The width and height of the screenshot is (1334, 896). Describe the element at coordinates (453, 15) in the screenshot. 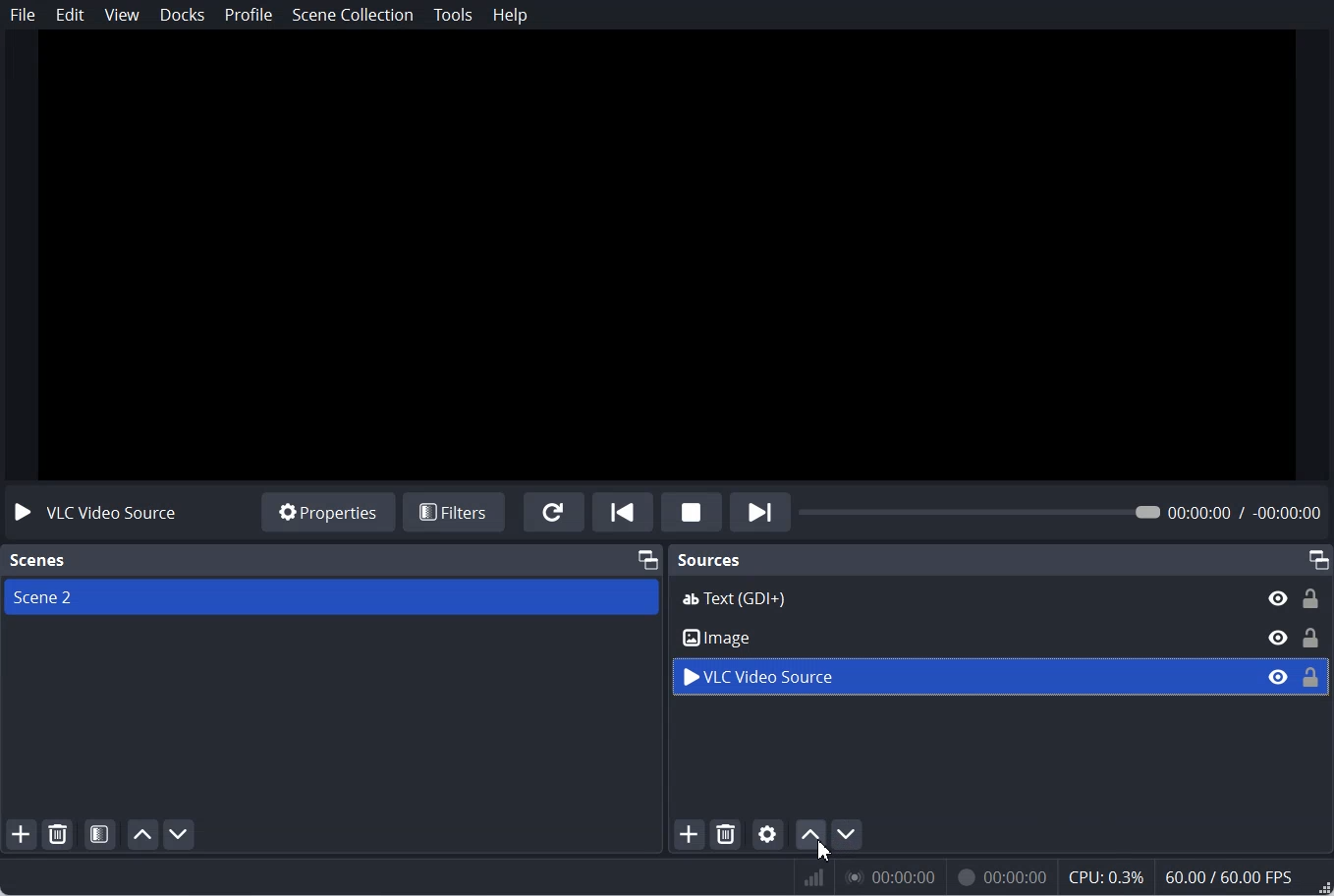

I see `Tools` at that location.